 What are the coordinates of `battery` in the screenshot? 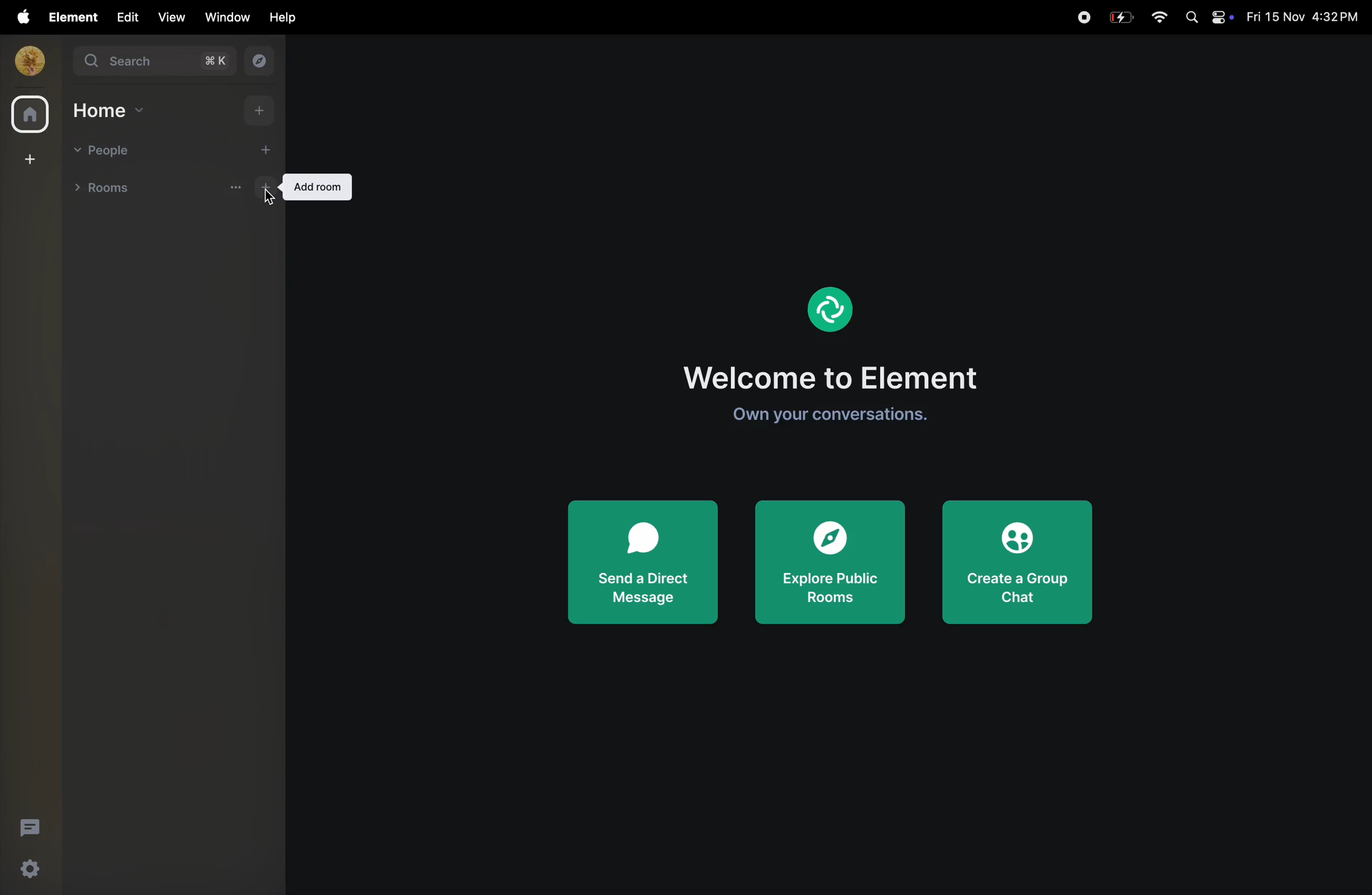 It's located at (1122, 16).